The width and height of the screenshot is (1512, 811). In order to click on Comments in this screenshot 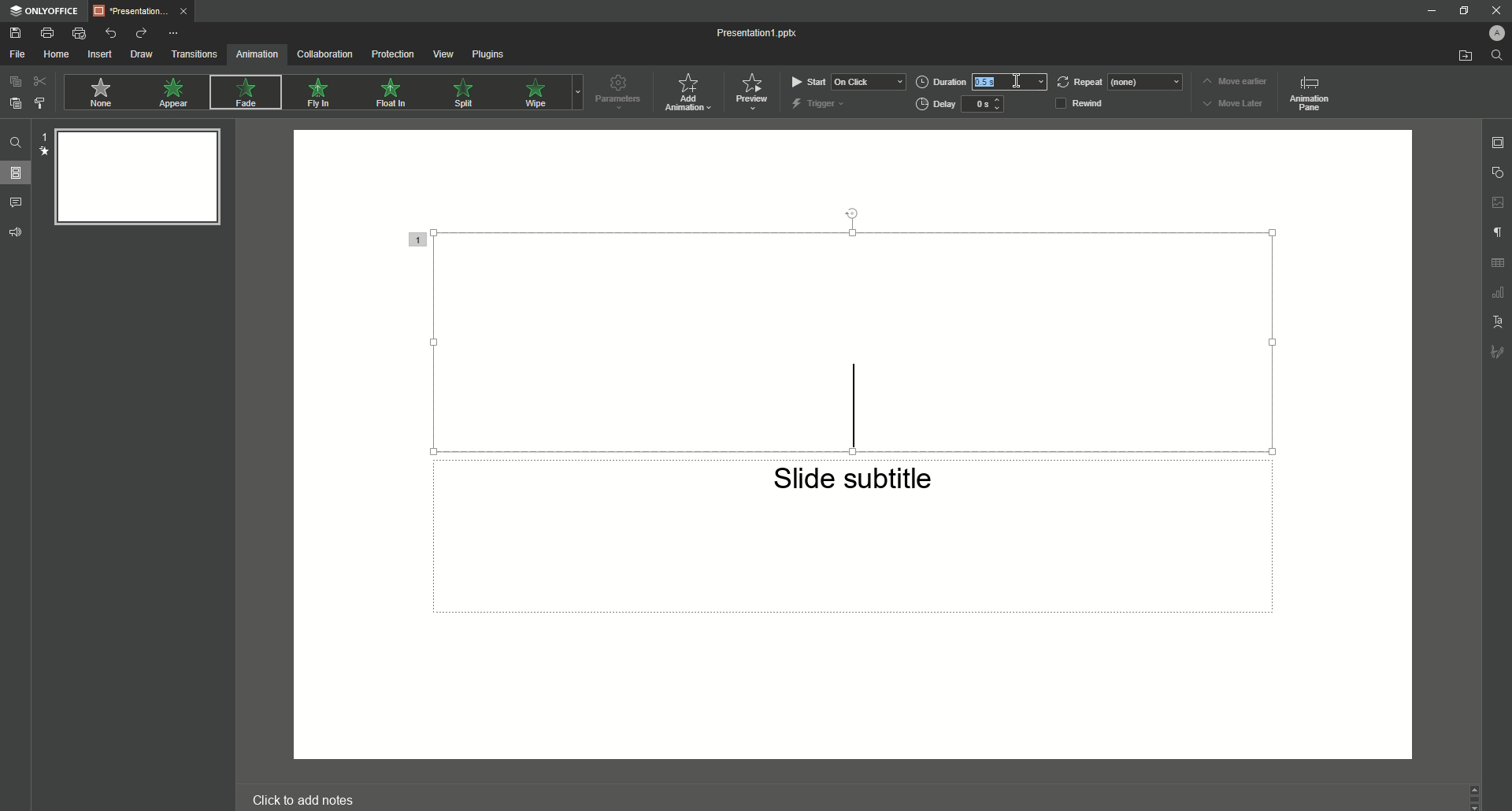, I will do `click(17, 203)`.